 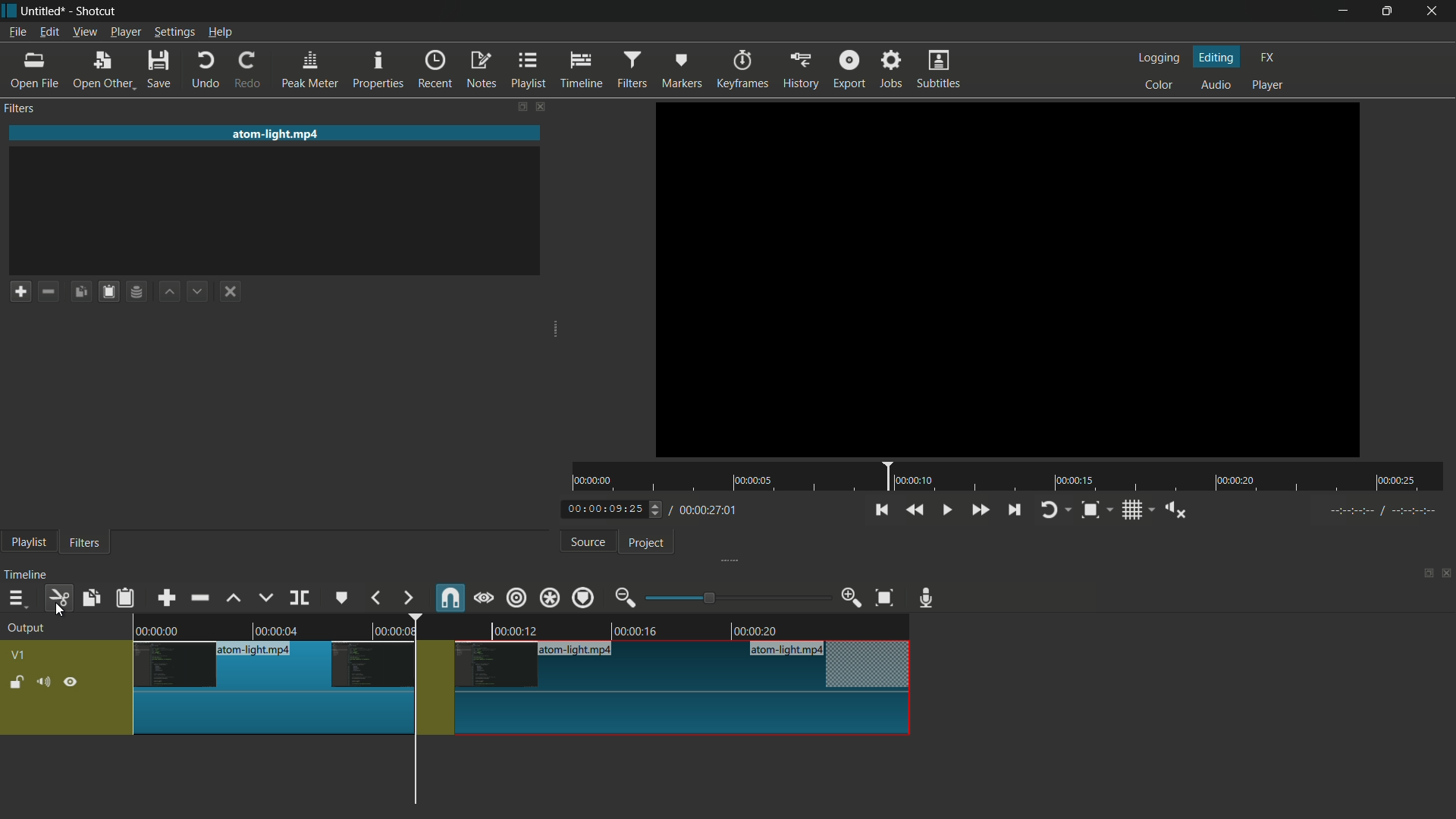 I want to click on , so click(x=277, y=134).